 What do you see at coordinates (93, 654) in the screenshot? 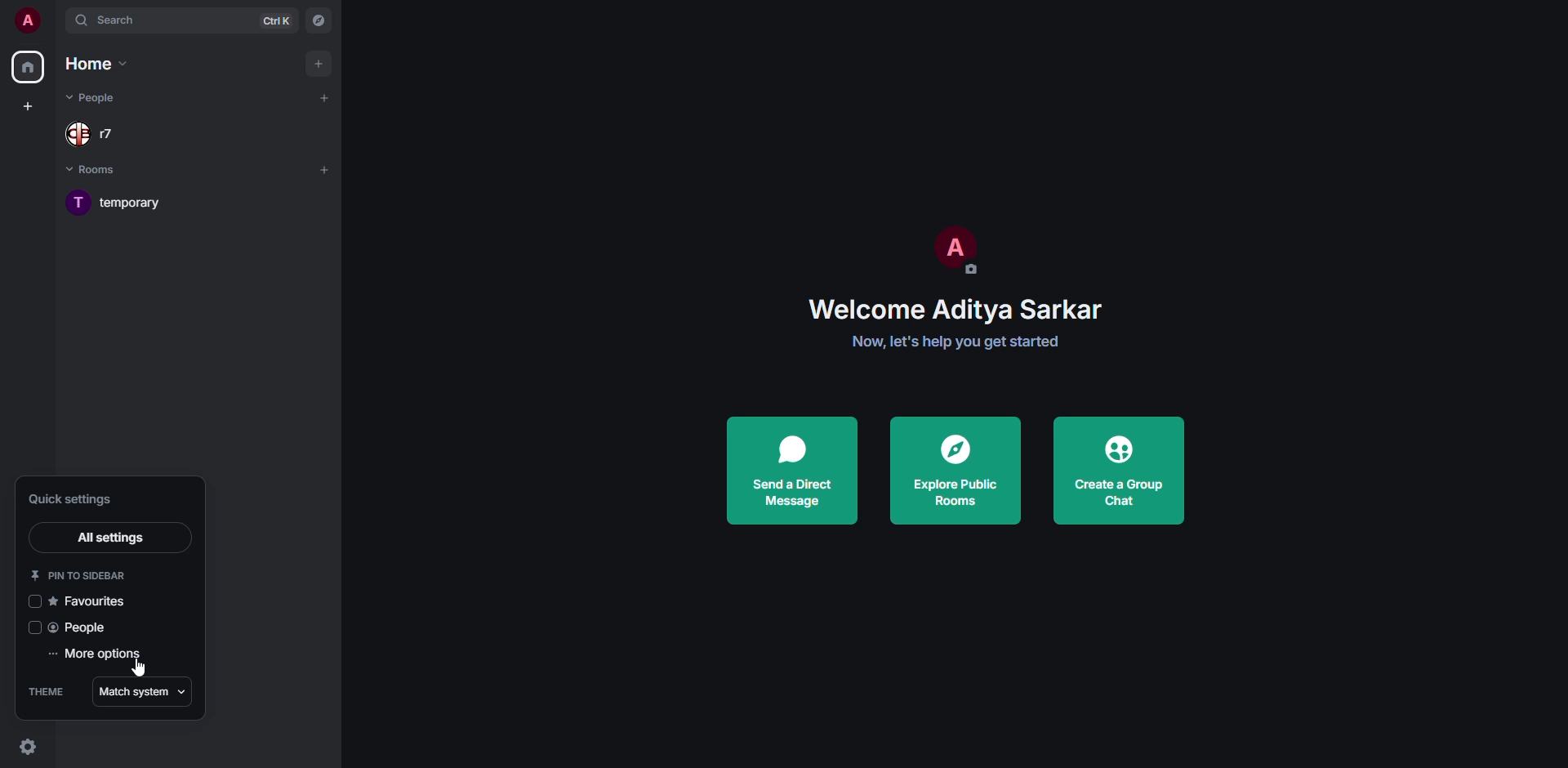
I see `more options` at bounding box center [93, 654].